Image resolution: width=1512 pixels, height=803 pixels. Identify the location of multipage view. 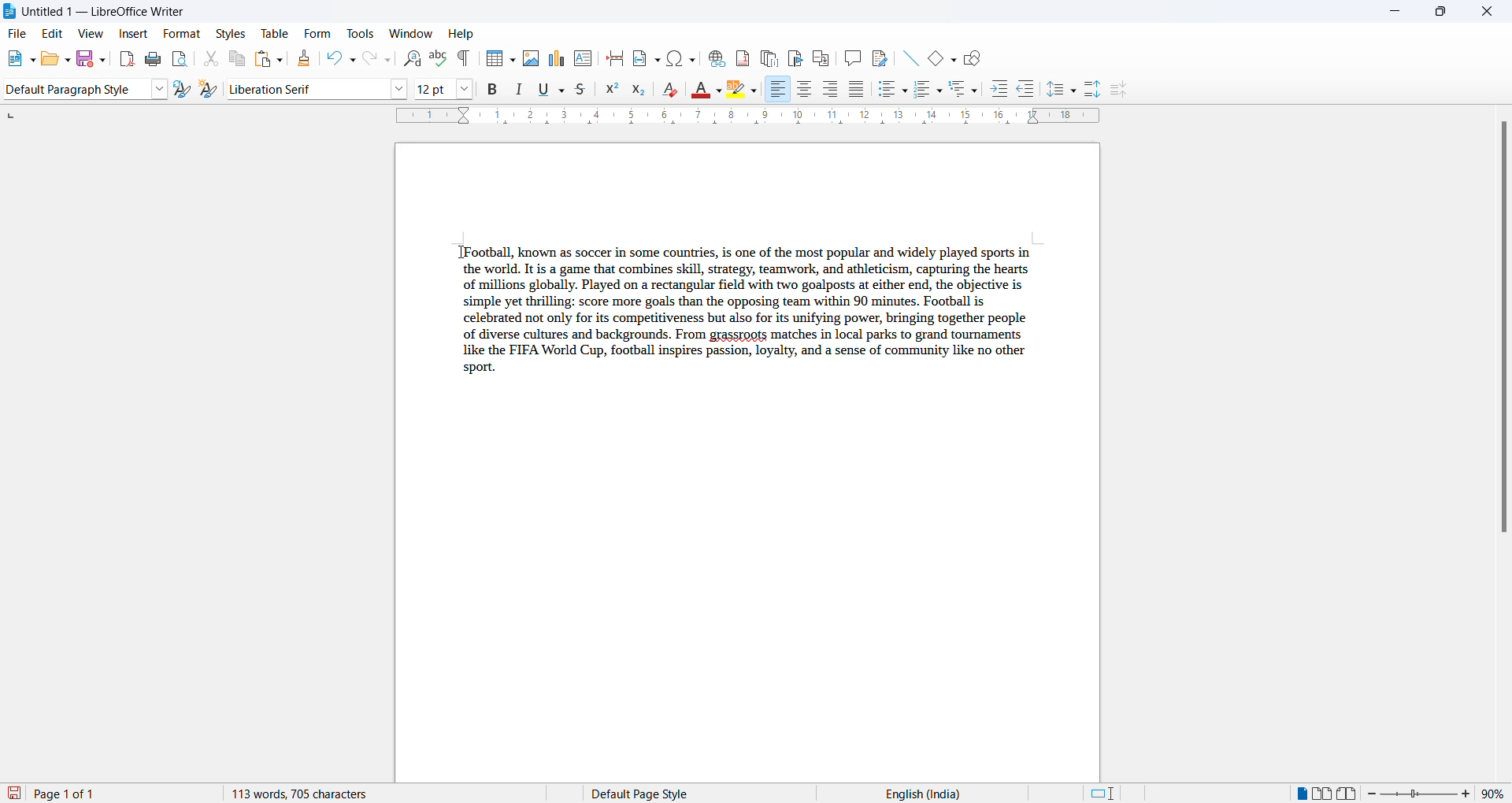
(1324, 795).